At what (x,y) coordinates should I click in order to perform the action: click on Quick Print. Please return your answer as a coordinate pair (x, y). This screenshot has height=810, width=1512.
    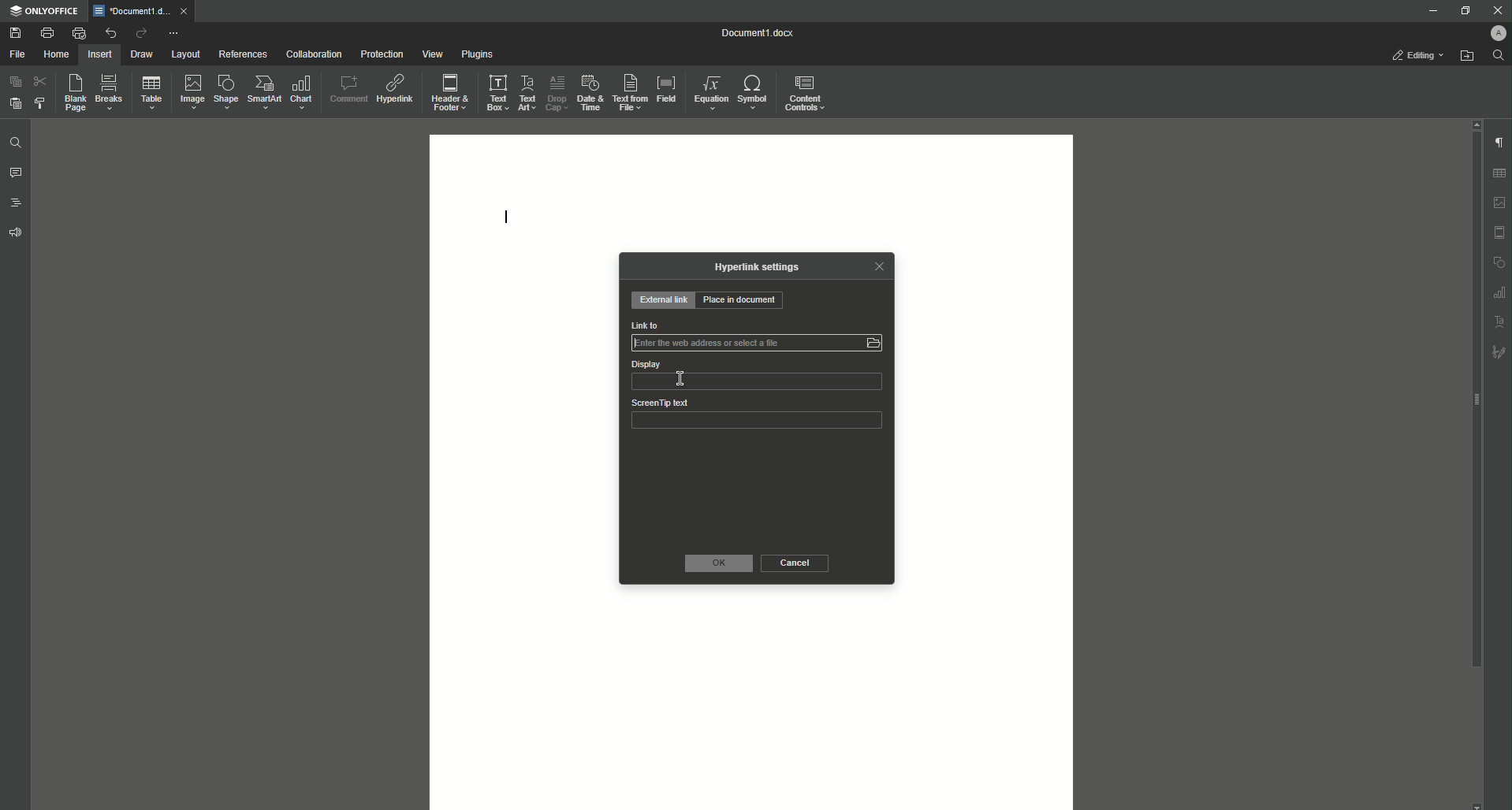
    Looking at the image, I should click on (79, 32).